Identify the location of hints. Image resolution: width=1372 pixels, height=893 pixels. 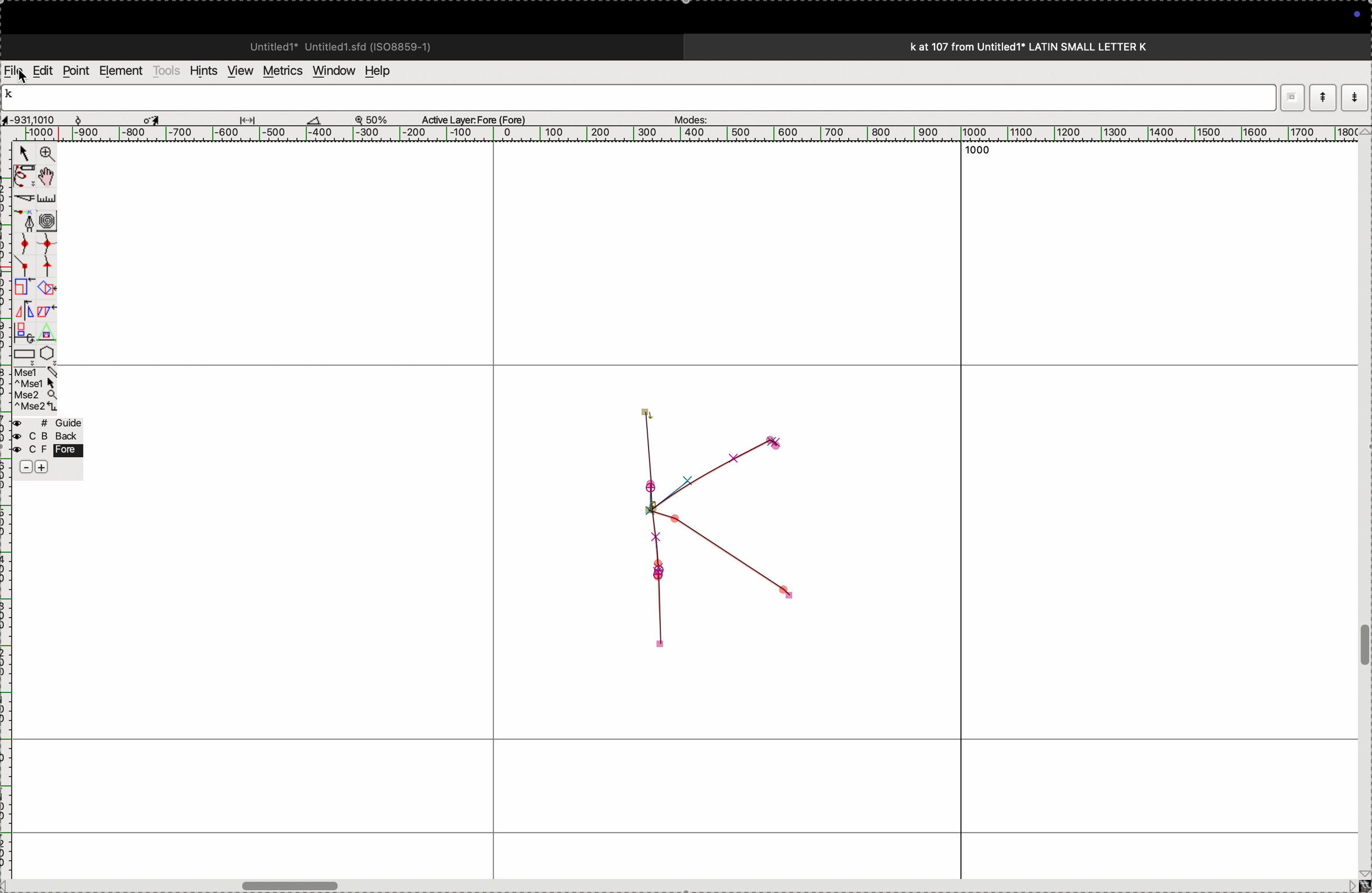
(201, 70).